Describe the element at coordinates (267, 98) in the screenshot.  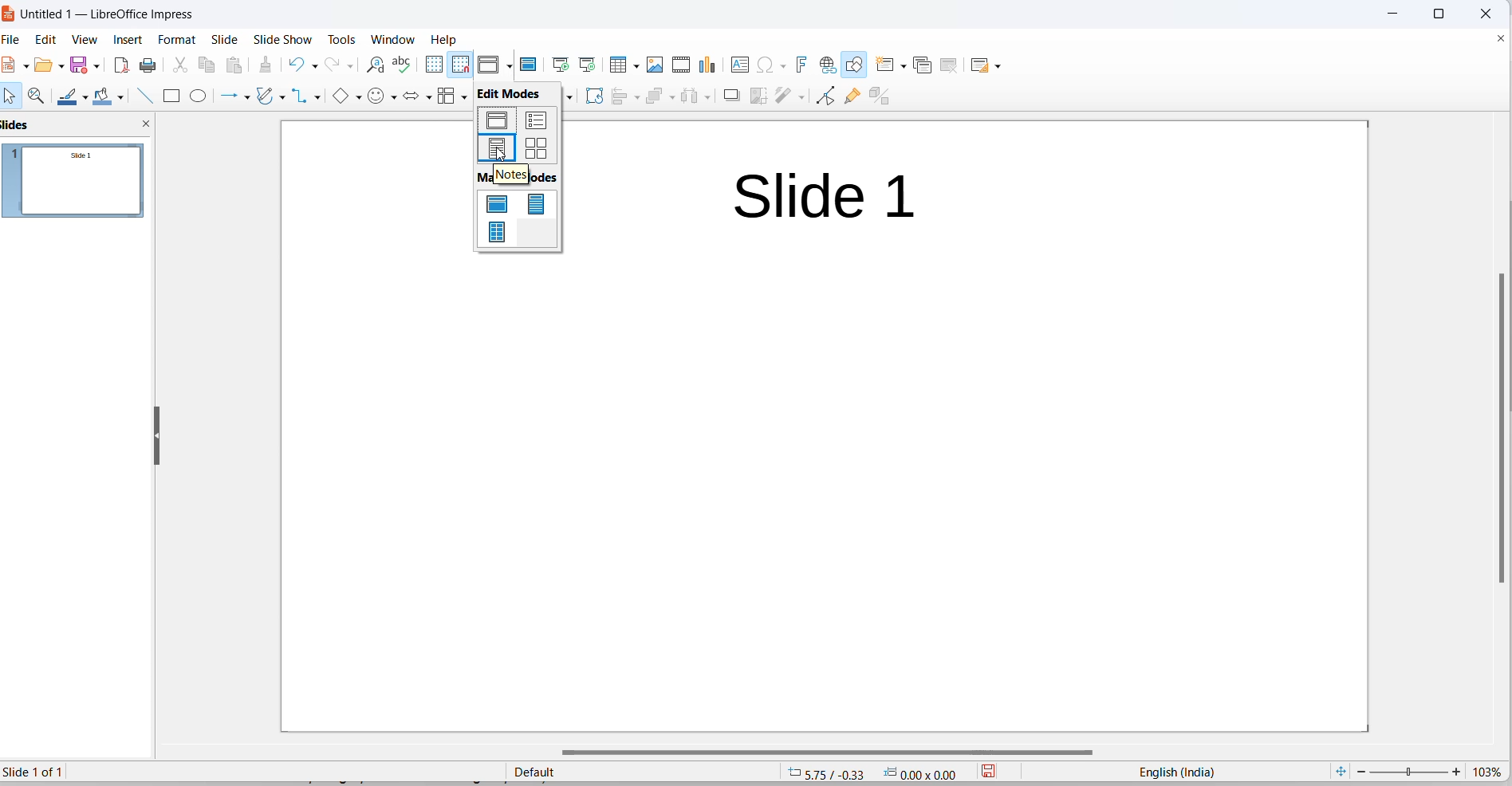
I see `curves and polygons` at that location.